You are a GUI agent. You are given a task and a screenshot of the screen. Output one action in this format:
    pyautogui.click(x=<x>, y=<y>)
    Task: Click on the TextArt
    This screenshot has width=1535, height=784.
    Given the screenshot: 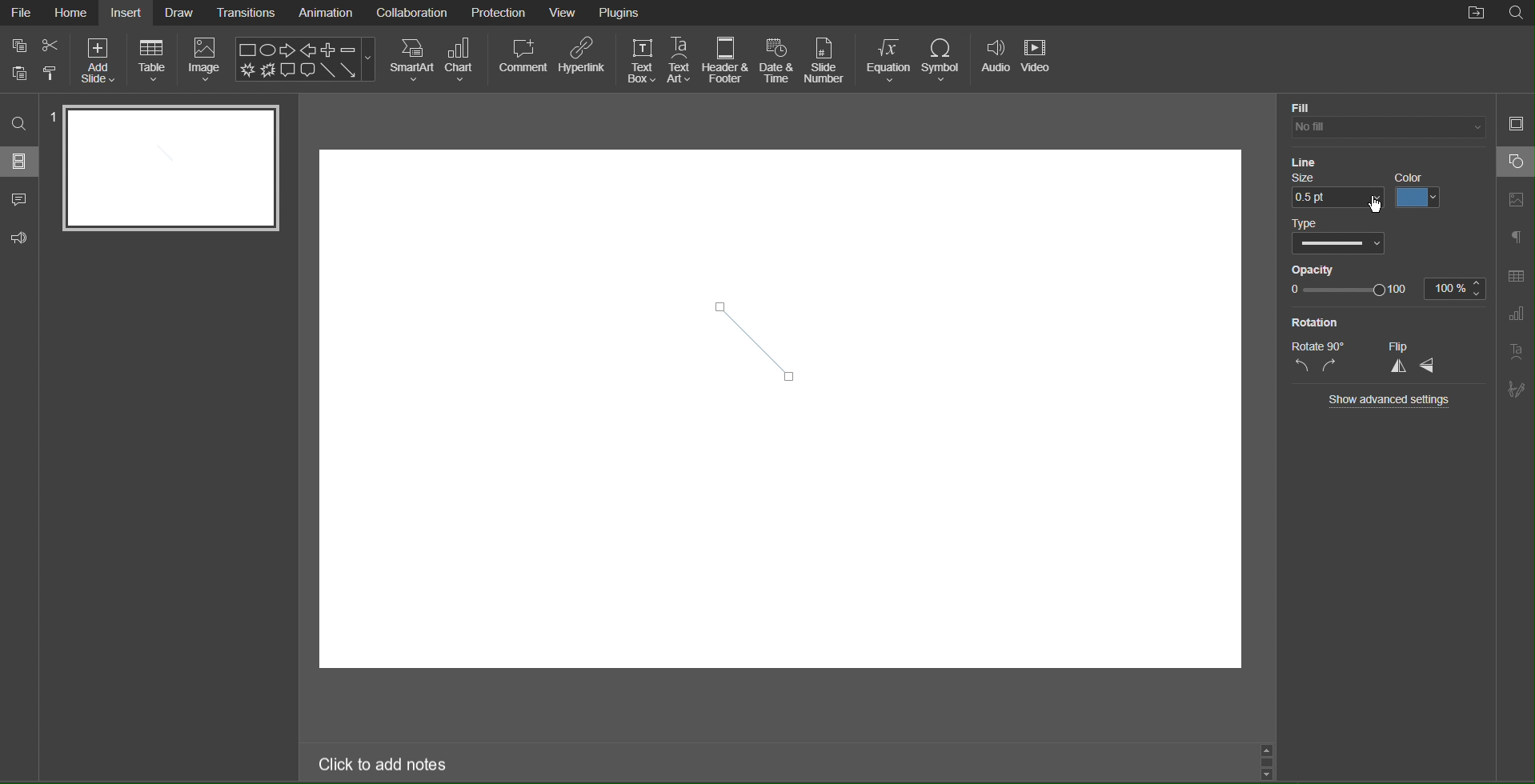 What is the action you would take?
    pyautogui.click(x=1517, y=351)
    